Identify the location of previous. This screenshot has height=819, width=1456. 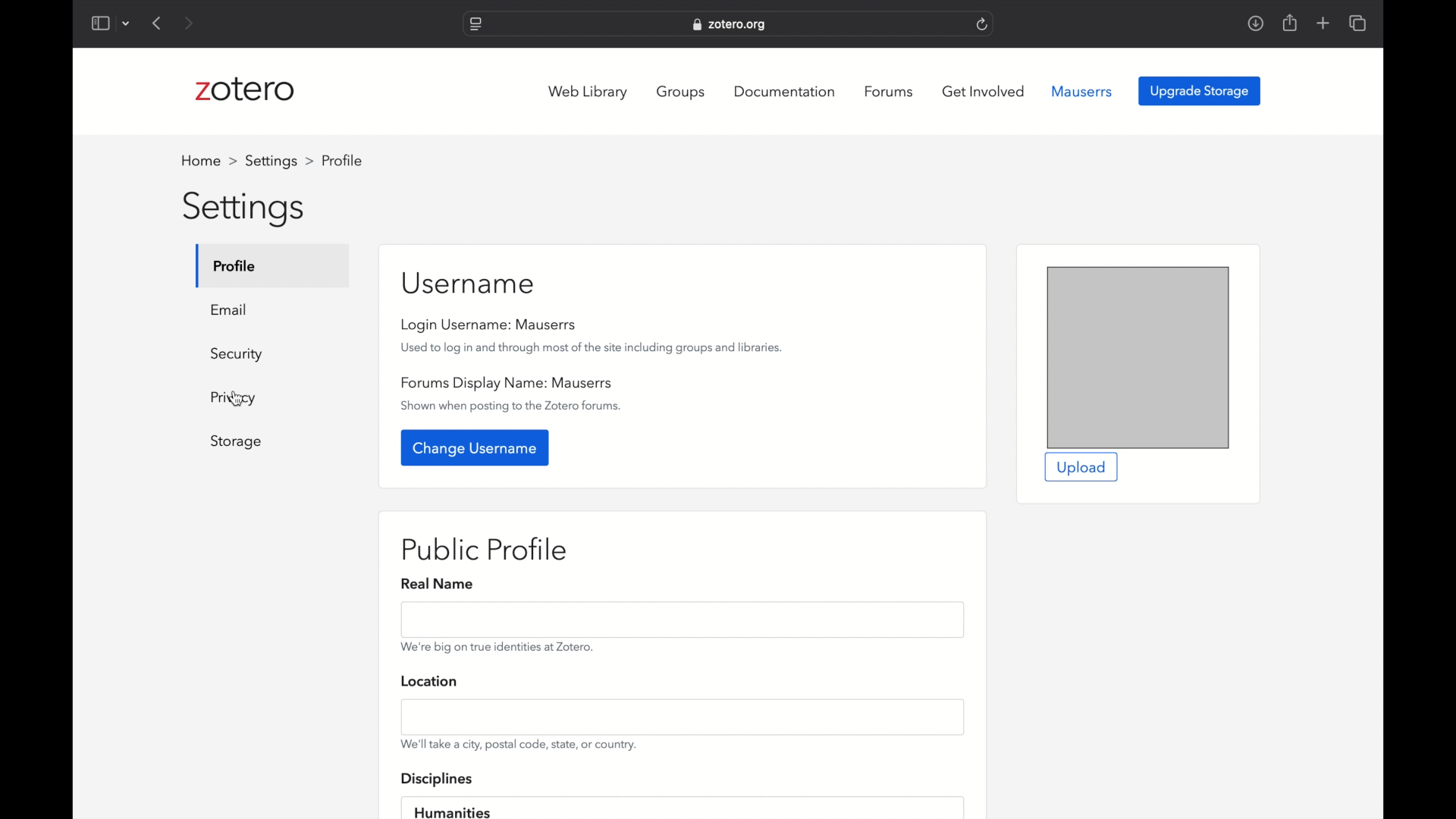
(158, 23).